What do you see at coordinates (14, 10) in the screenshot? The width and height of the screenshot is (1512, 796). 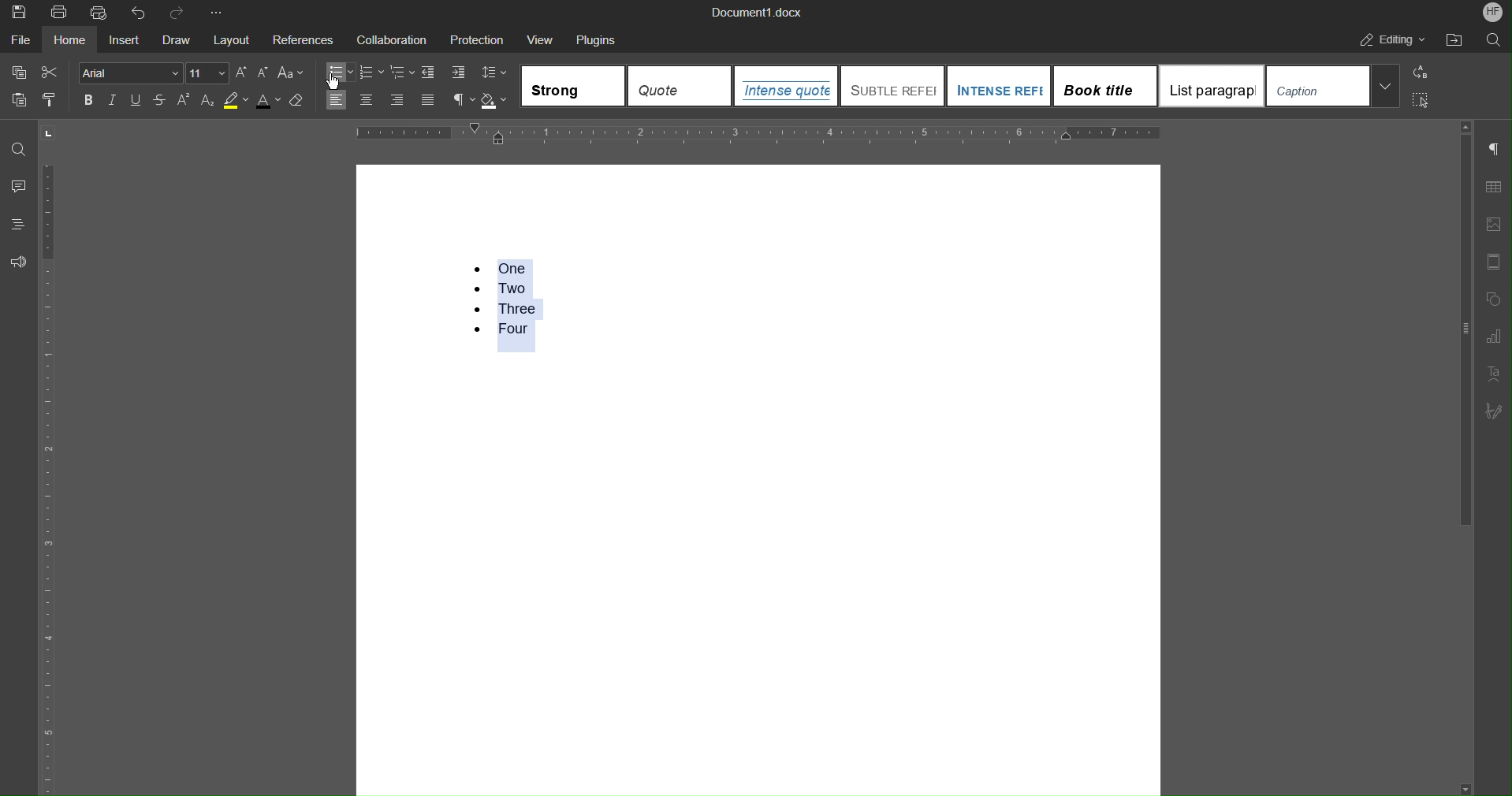 I see `Save` at bounding box center [14, 10].